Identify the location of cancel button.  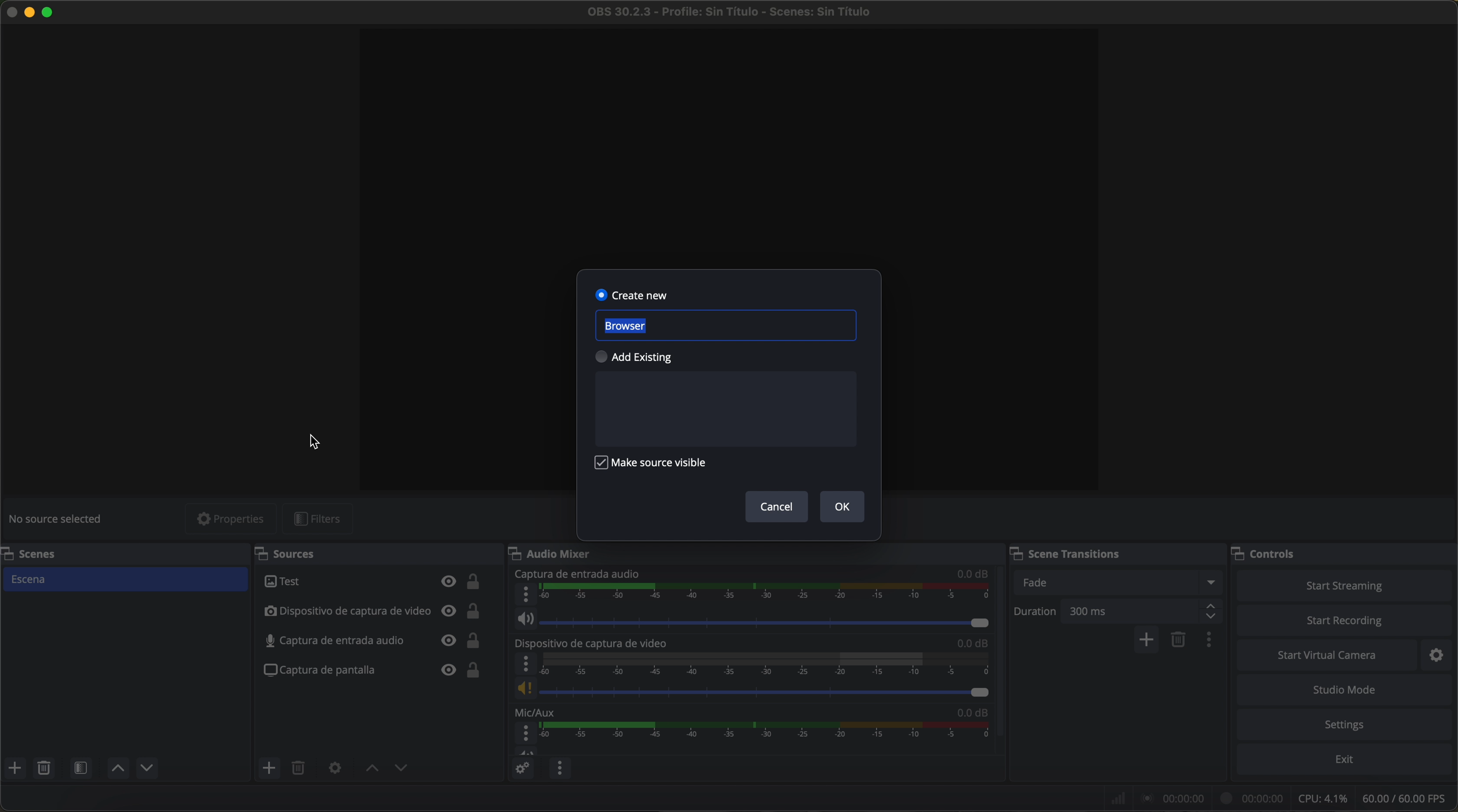
(777, 508).